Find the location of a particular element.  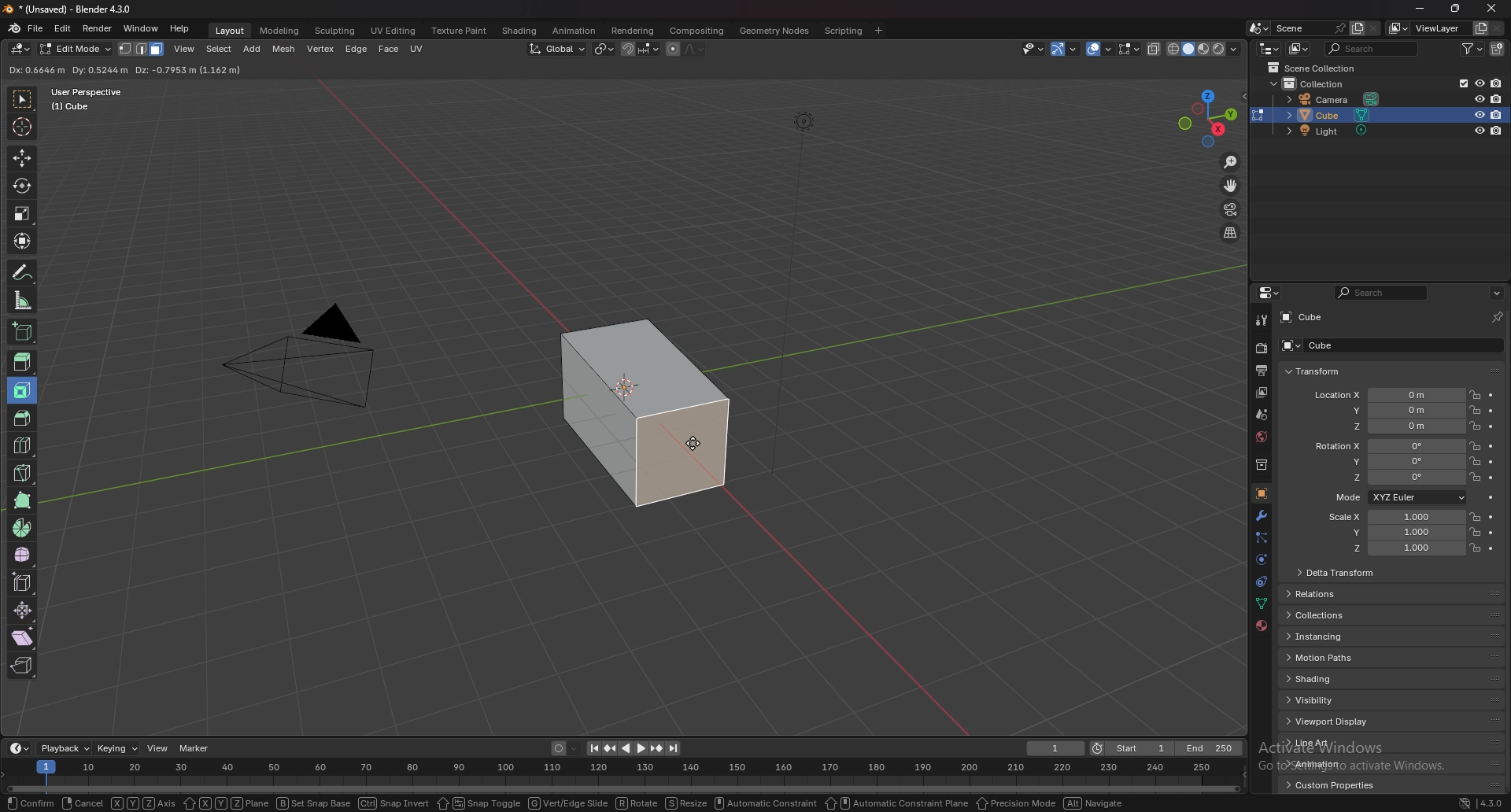

lock is located at coordinates (1475, 446).